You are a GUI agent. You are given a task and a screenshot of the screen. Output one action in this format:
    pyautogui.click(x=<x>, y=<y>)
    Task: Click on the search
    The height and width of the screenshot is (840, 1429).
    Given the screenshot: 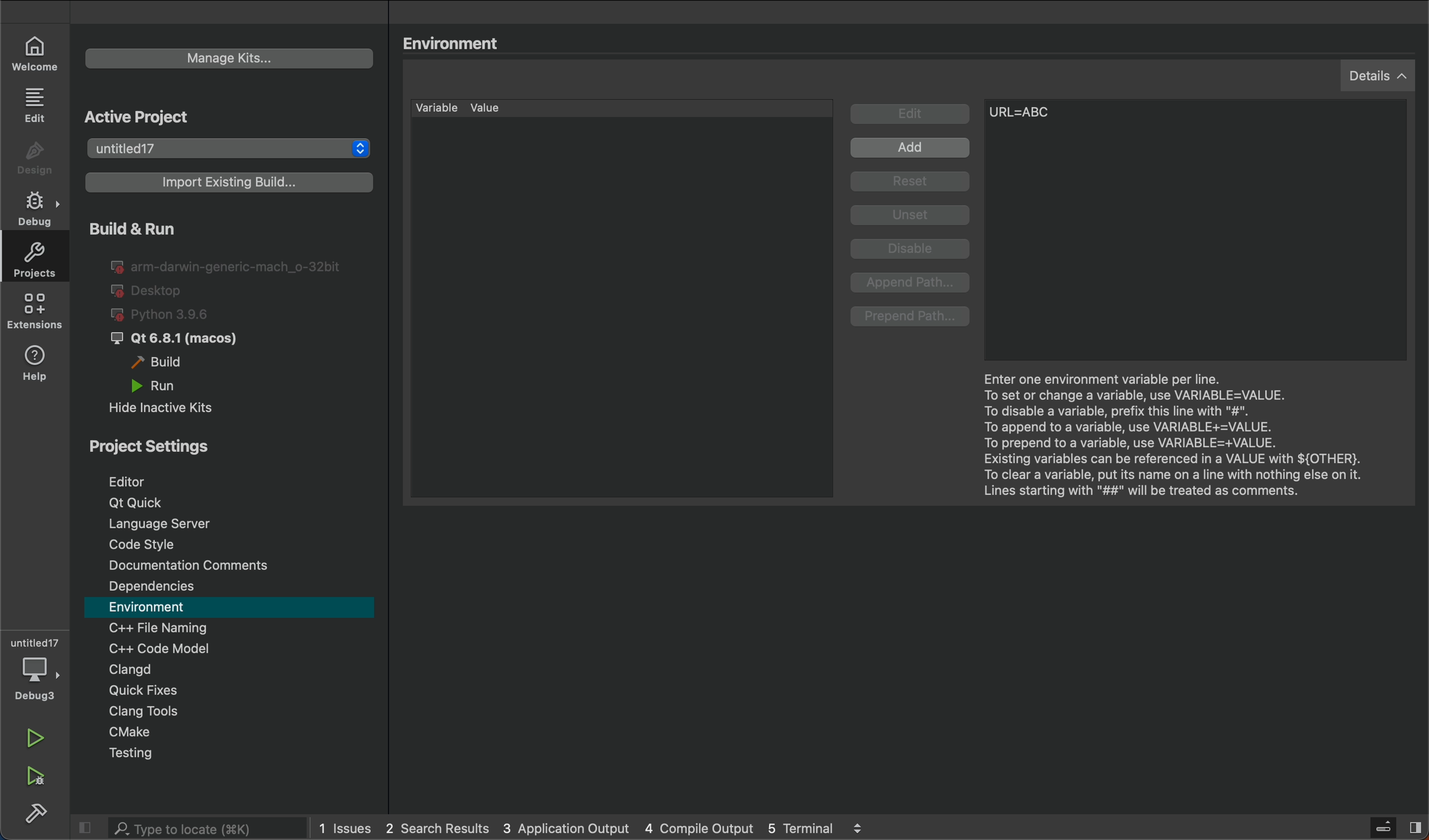 What is the action you would take?
    pyautogui.click(x=184, y=828)
    